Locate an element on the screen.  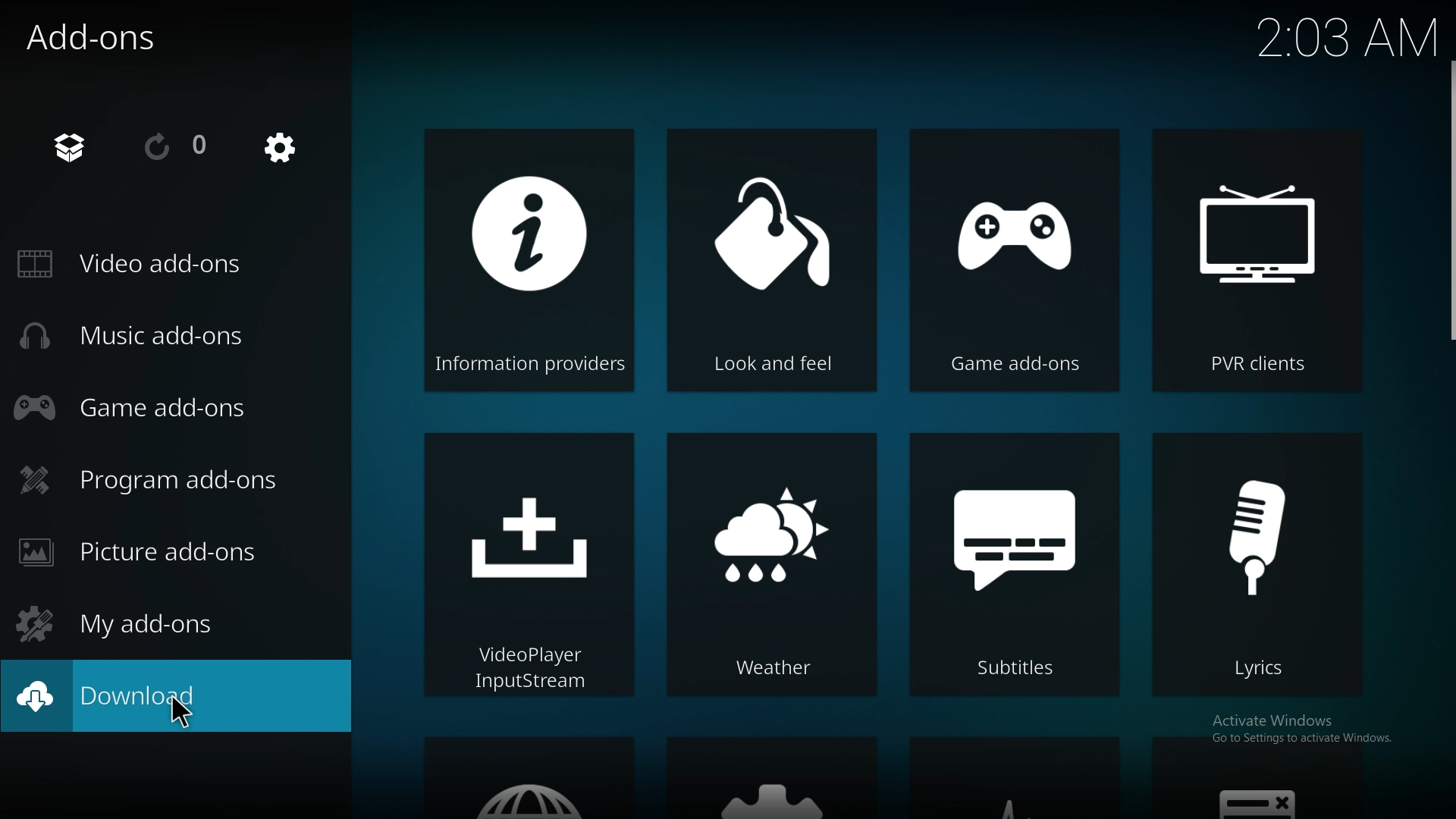
reload is located at coordinates (180, 146).